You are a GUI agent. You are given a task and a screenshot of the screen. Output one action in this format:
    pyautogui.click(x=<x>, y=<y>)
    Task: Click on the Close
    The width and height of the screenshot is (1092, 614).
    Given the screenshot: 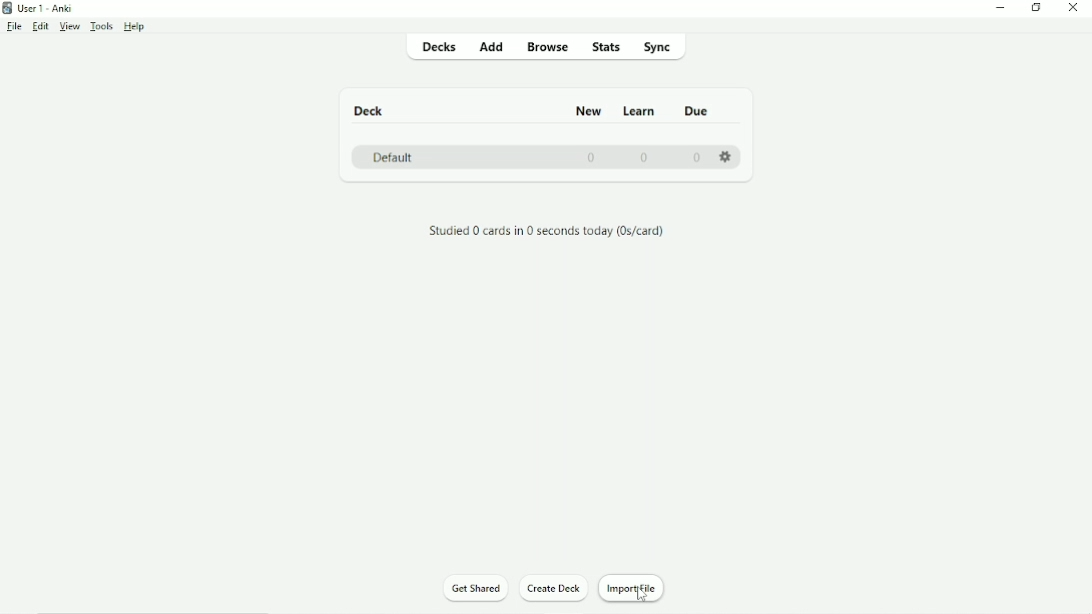 What is the action you would take?
    pyautogui.click(x=1074, y=8)
    